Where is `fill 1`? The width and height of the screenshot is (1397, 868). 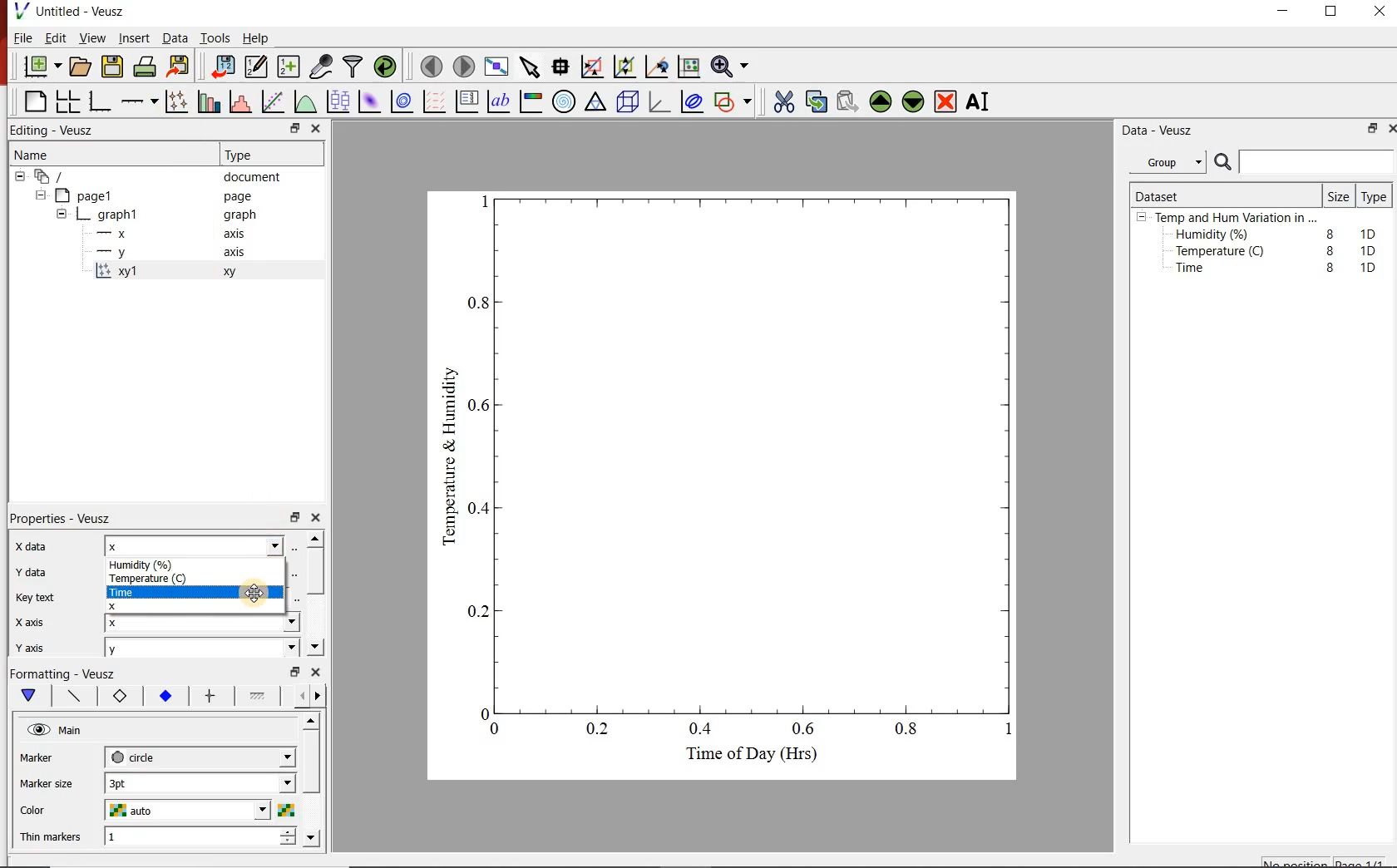 fill 1 is located at coordinates (259, 697).